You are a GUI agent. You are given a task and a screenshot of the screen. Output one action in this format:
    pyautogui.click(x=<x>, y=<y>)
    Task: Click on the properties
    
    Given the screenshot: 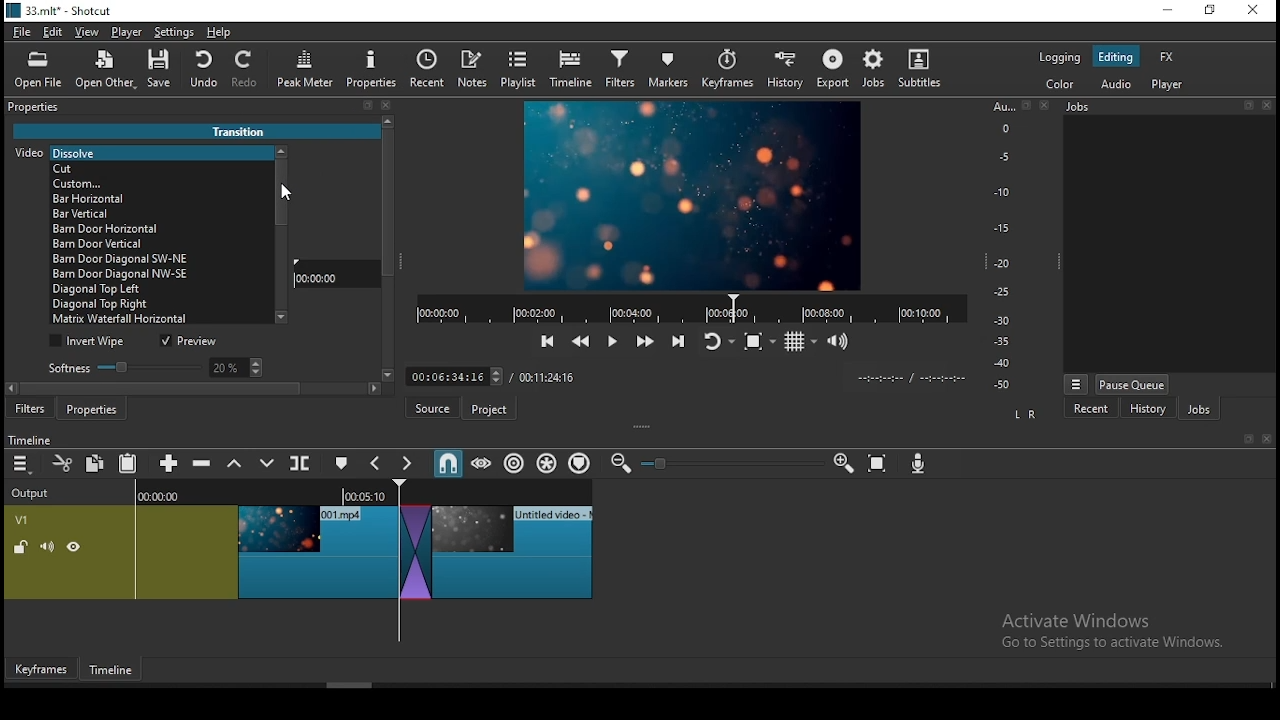 What is the action you would take?
    pyautogui.click(x=96, y=409)
    